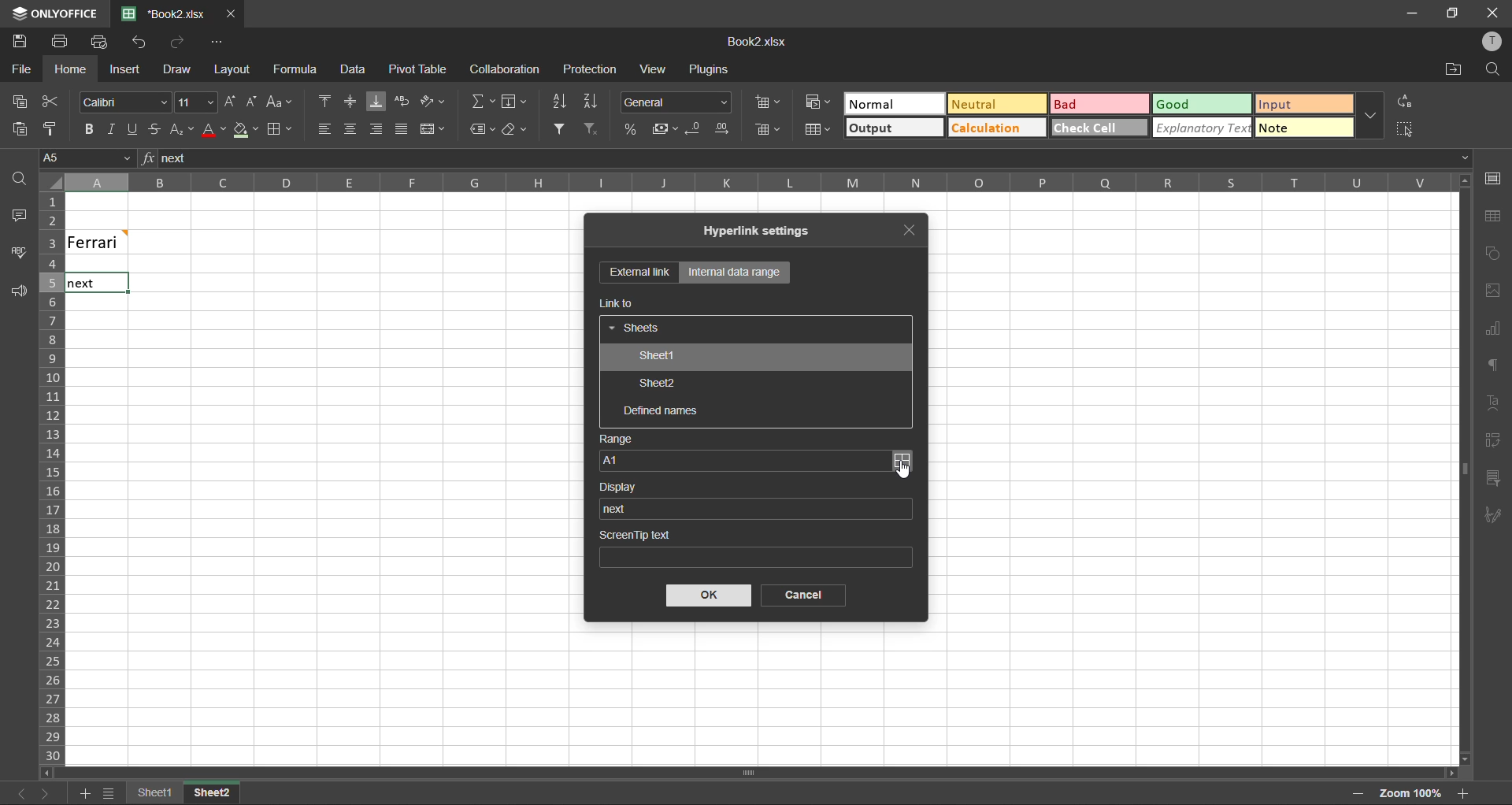  What do you see at coordinates (655, 358) in the screenshot?
I see `sheet1` at bounding box center [655, 358].